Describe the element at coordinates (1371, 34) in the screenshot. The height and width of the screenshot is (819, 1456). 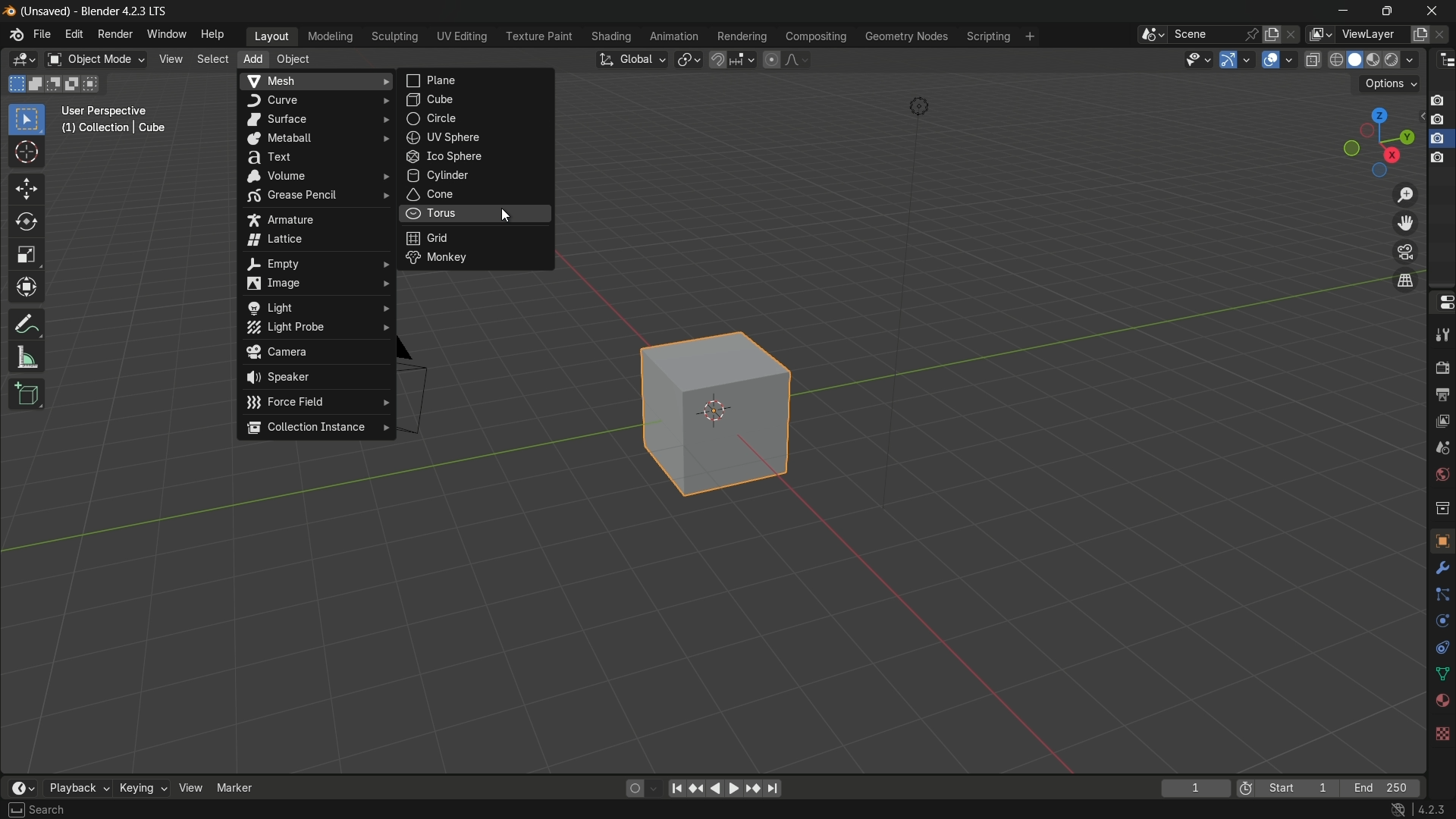
I see `viewLayer` at that location.